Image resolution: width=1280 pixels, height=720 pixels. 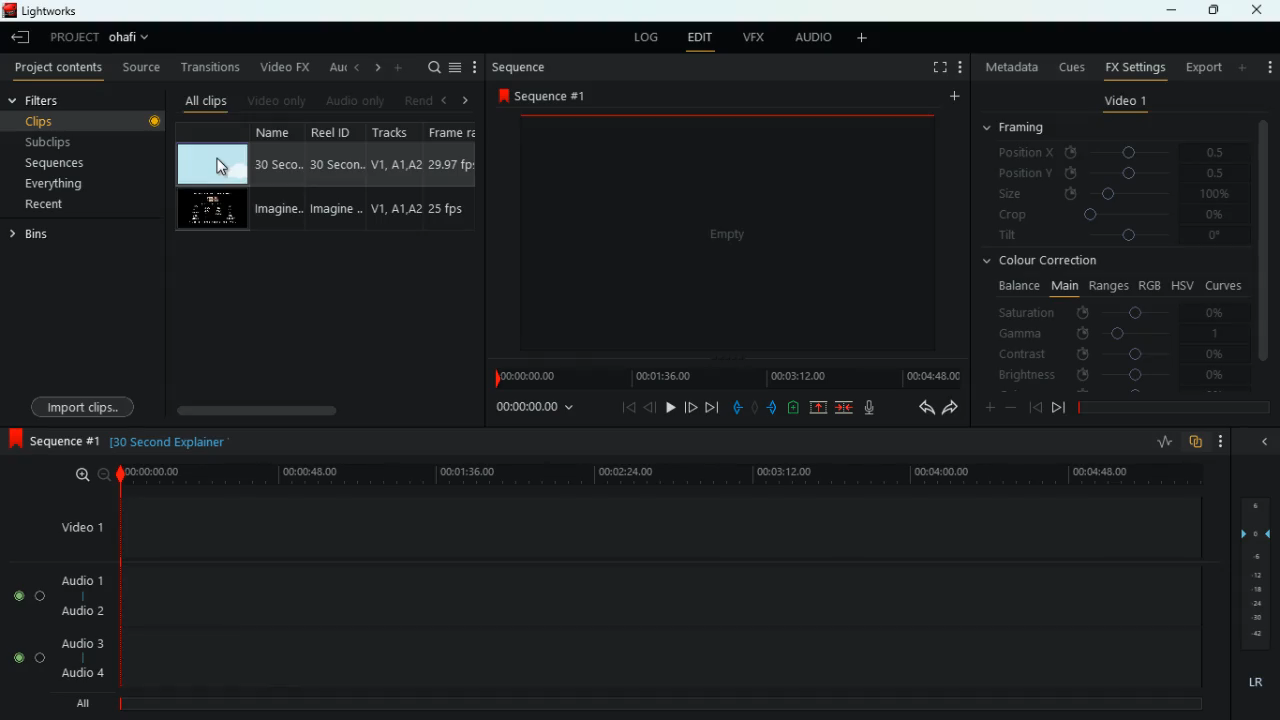 What do you see at coordinates (337, 68) in the screenshot?
I see `au` at bounding box center [337, 68].